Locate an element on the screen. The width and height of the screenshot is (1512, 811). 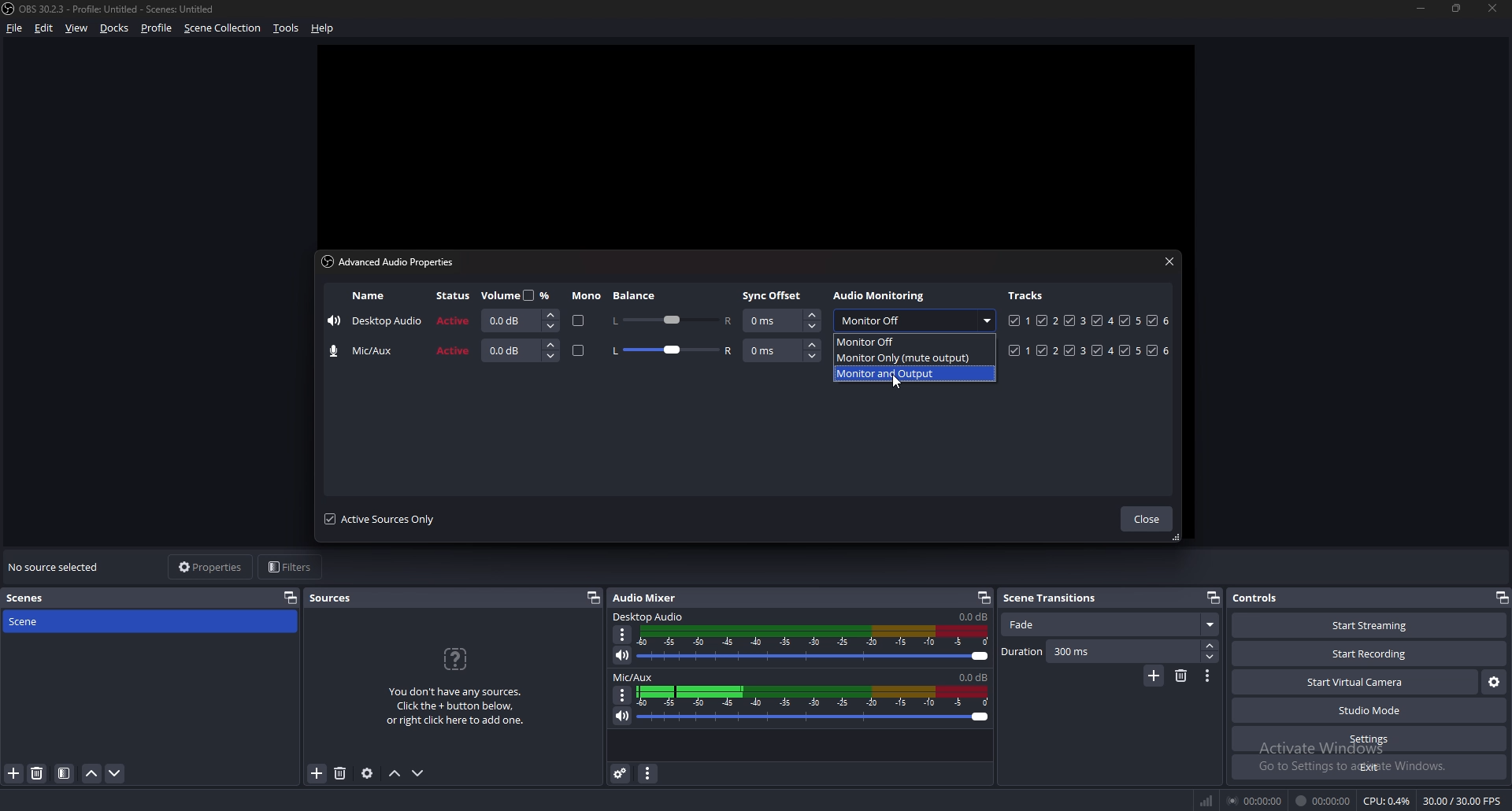
scene is located at coordinates (37, 622).